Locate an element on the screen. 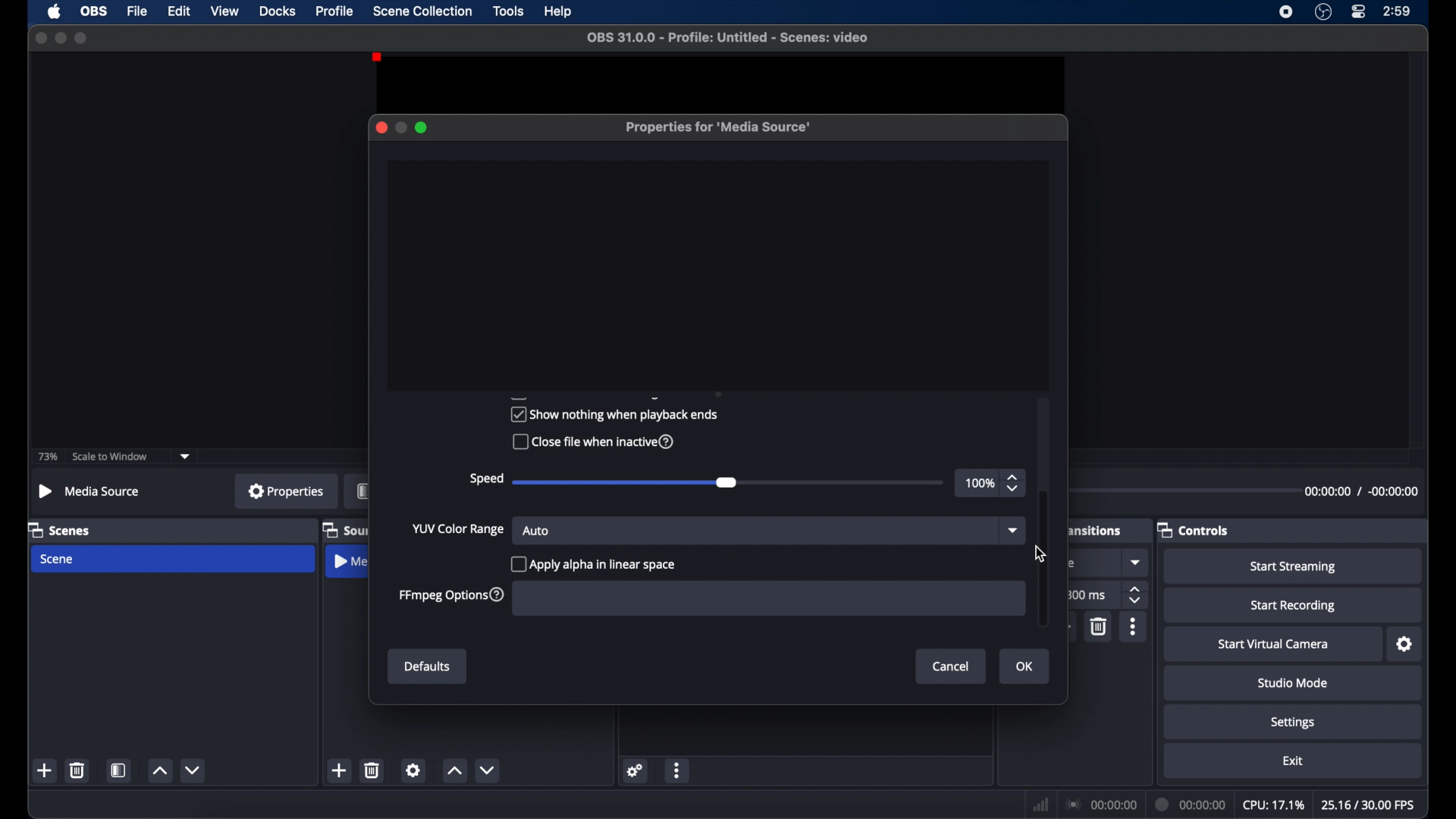 This screenshot has height=819, width=1456. properties is located at coordinates (286, 491).